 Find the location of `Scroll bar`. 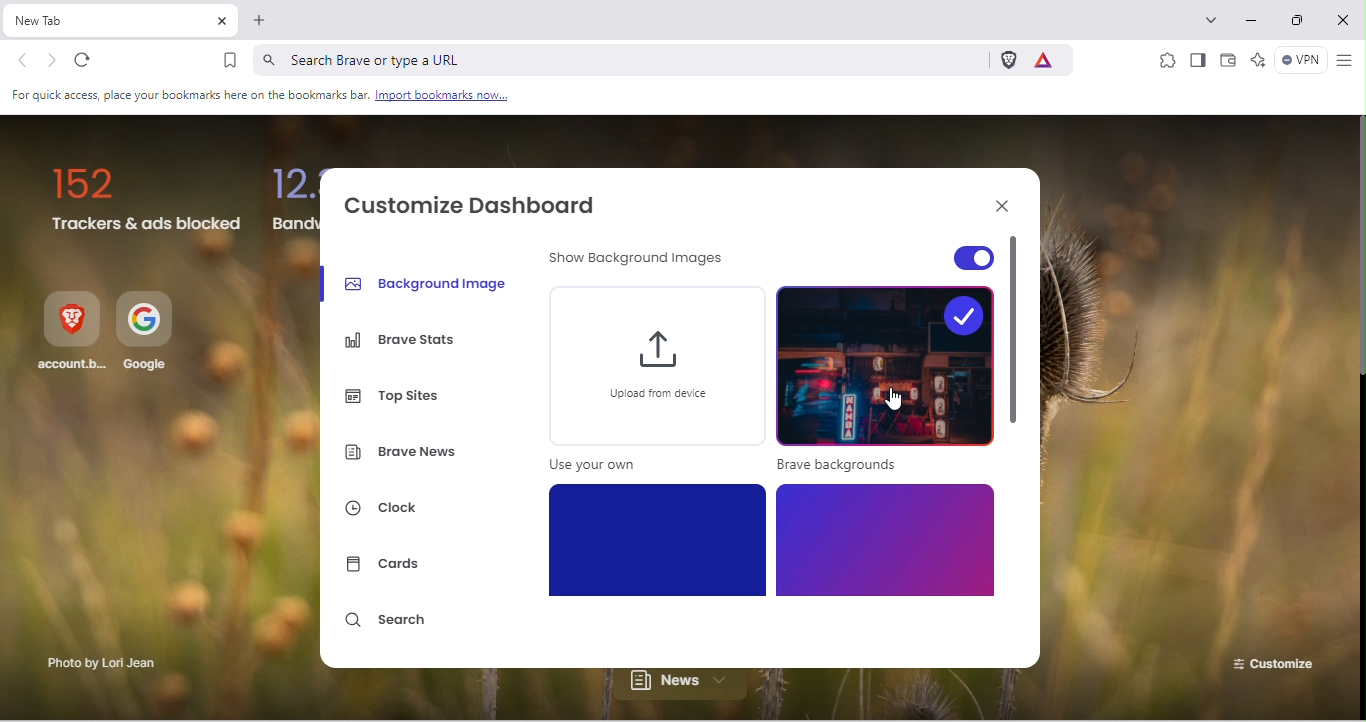

Scroll bar is located at coordinates (1017, 450).